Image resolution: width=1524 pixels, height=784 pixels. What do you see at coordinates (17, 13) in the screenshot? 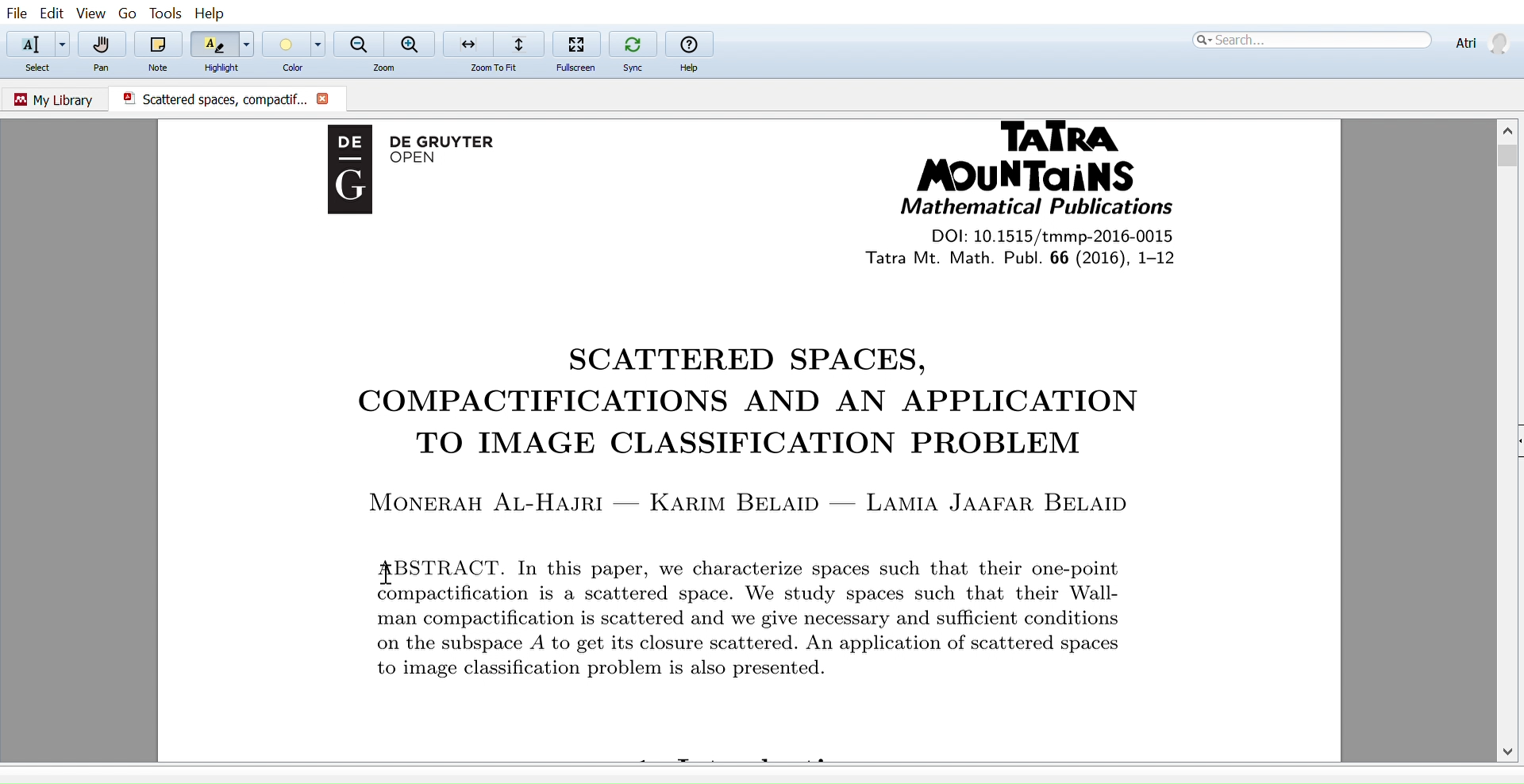
I see `File` at bounding box center [17, 13].